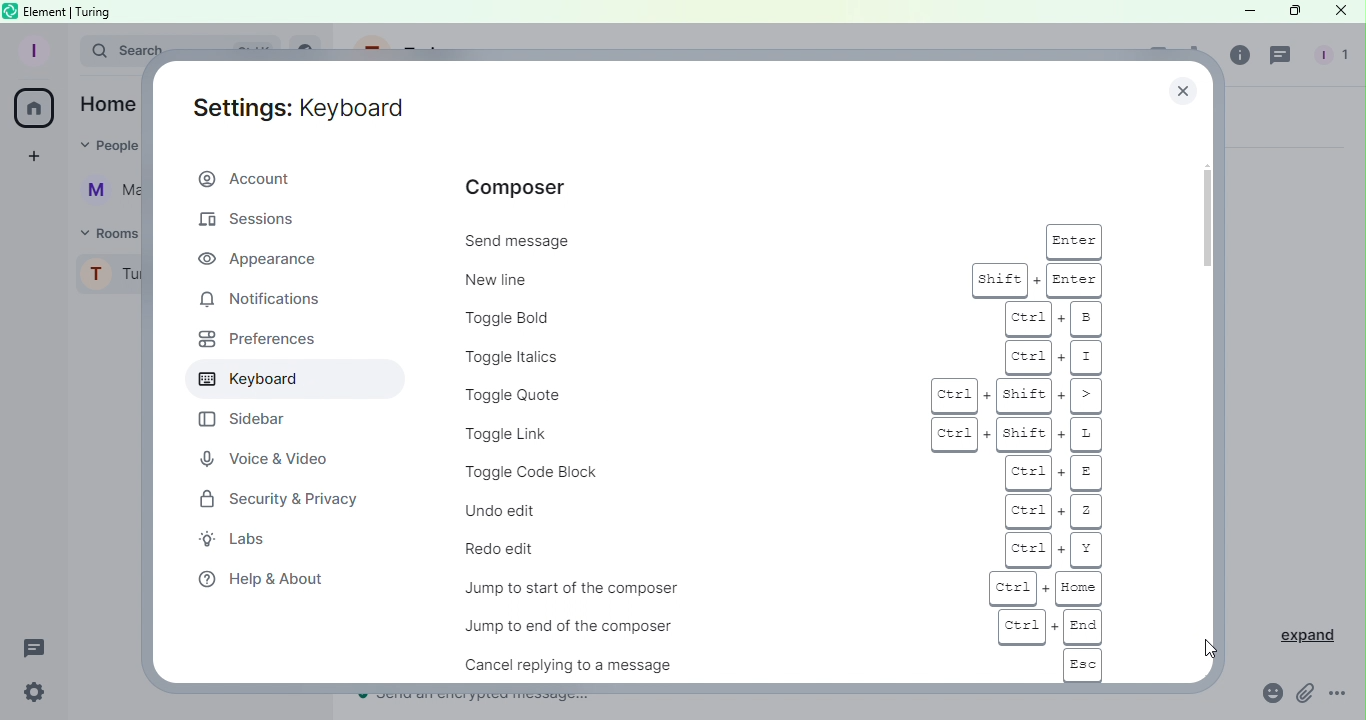 Image resolution: width=1366 pixels, height=720 pixels. Describe the element at coordinates (253, 343) in the screenshot. I see `Preferences` at that location.